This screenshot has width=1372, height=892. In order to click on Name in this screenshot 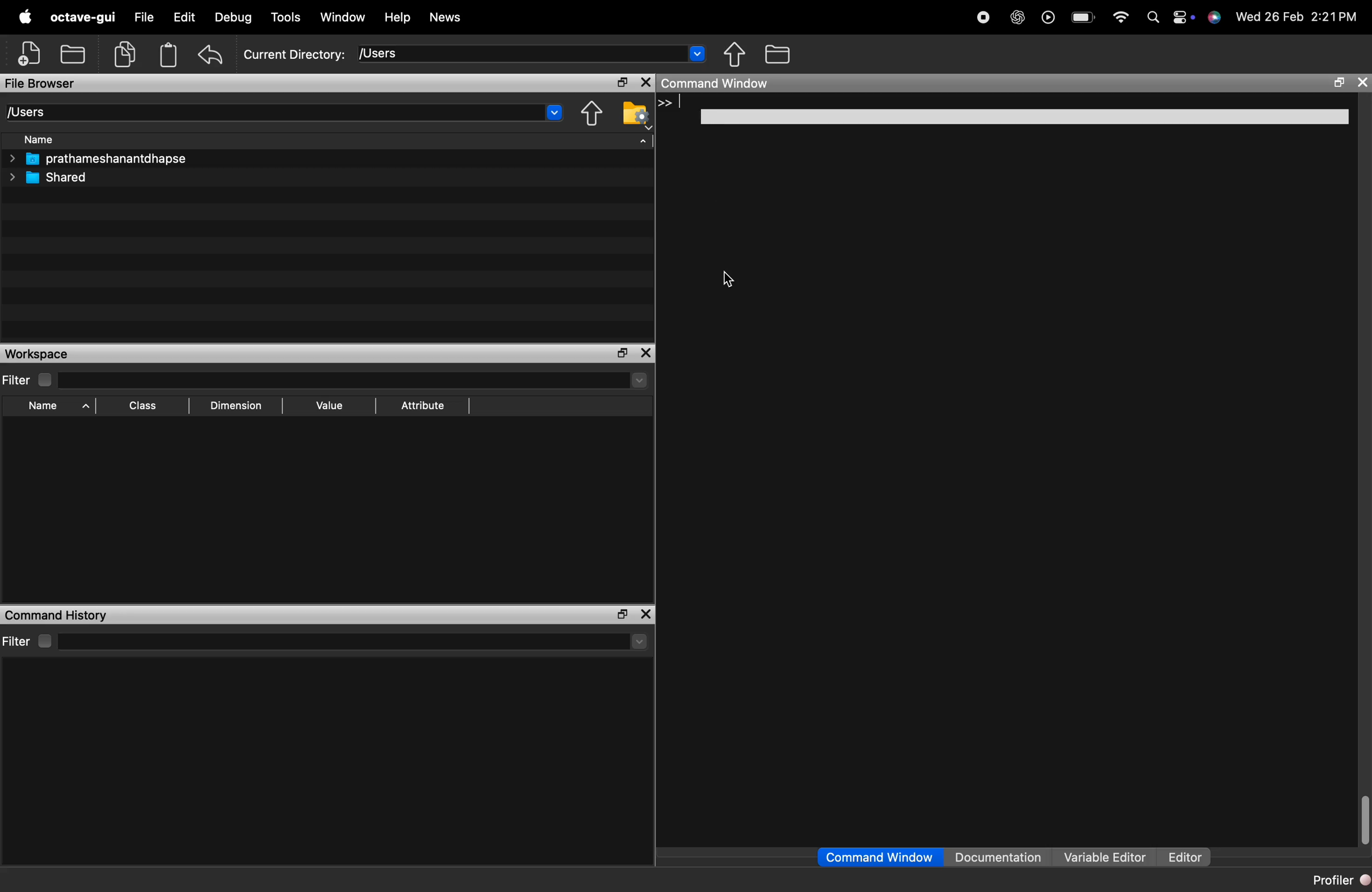, I will do `click(43, 407)`.